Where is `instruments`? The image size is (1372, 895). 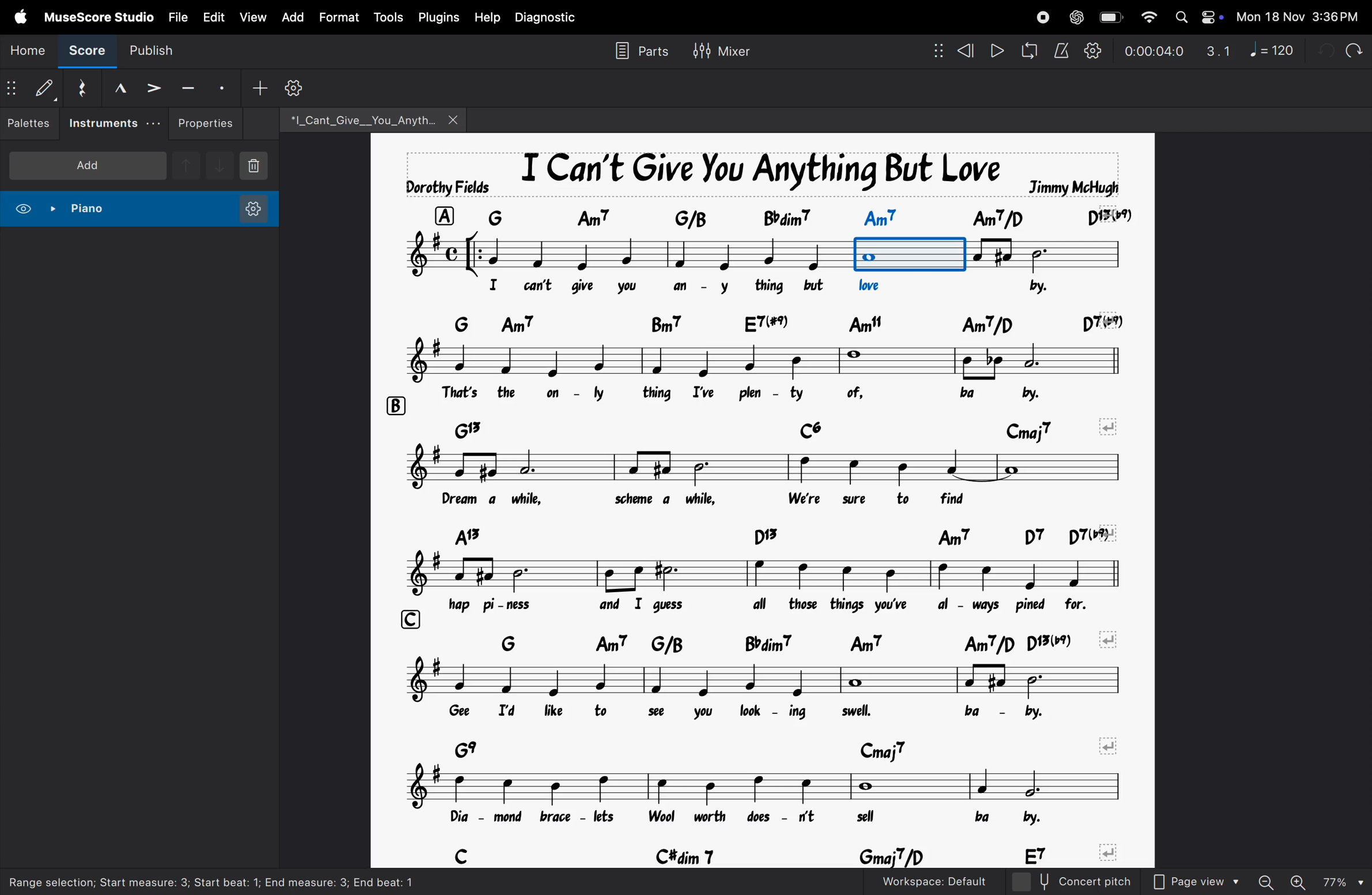
instruments is located at coordinates (114, 122).